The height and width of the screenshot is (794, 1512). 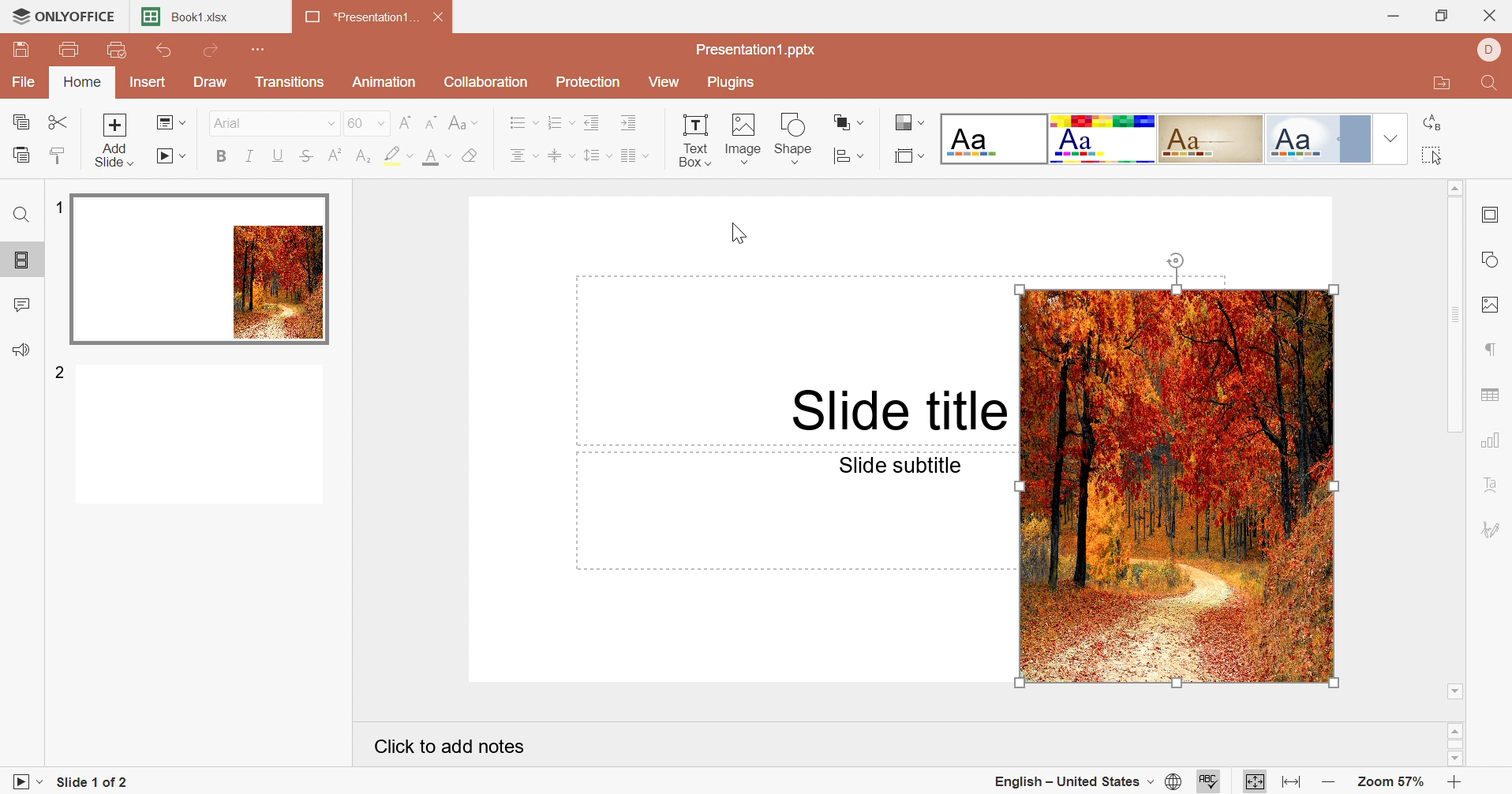 What do you see at coordinates (213, 51) in the screenshot?
I see `Redo` at bounding box center [213, 51].